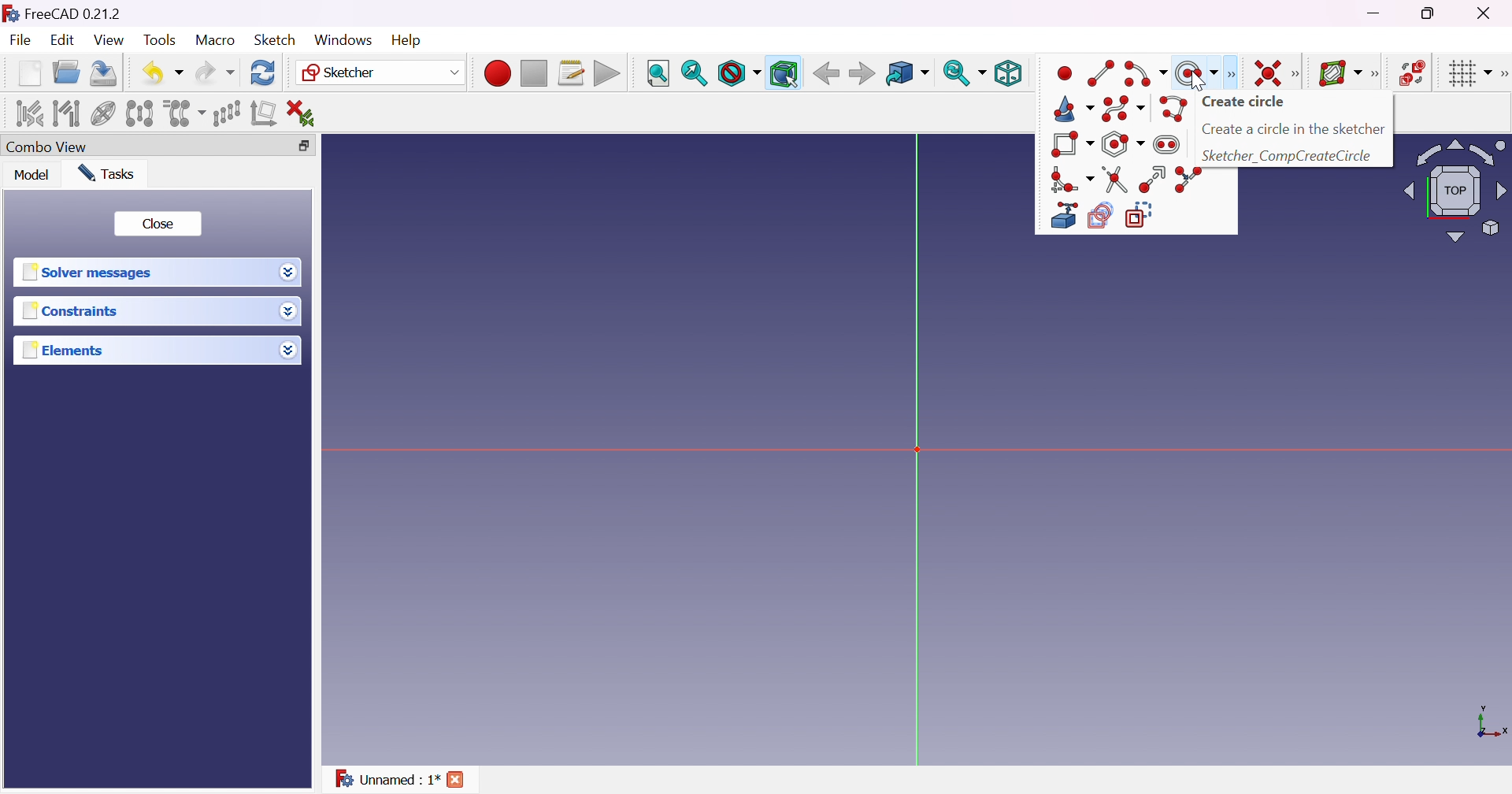 Image resolution: width=1512 pixels, height=794 pixels. What do you see at coordinates (1290, 157) in the screenshot?
I see `Sketcher_CompCreateCircle` at bounding box center [1290, 157].